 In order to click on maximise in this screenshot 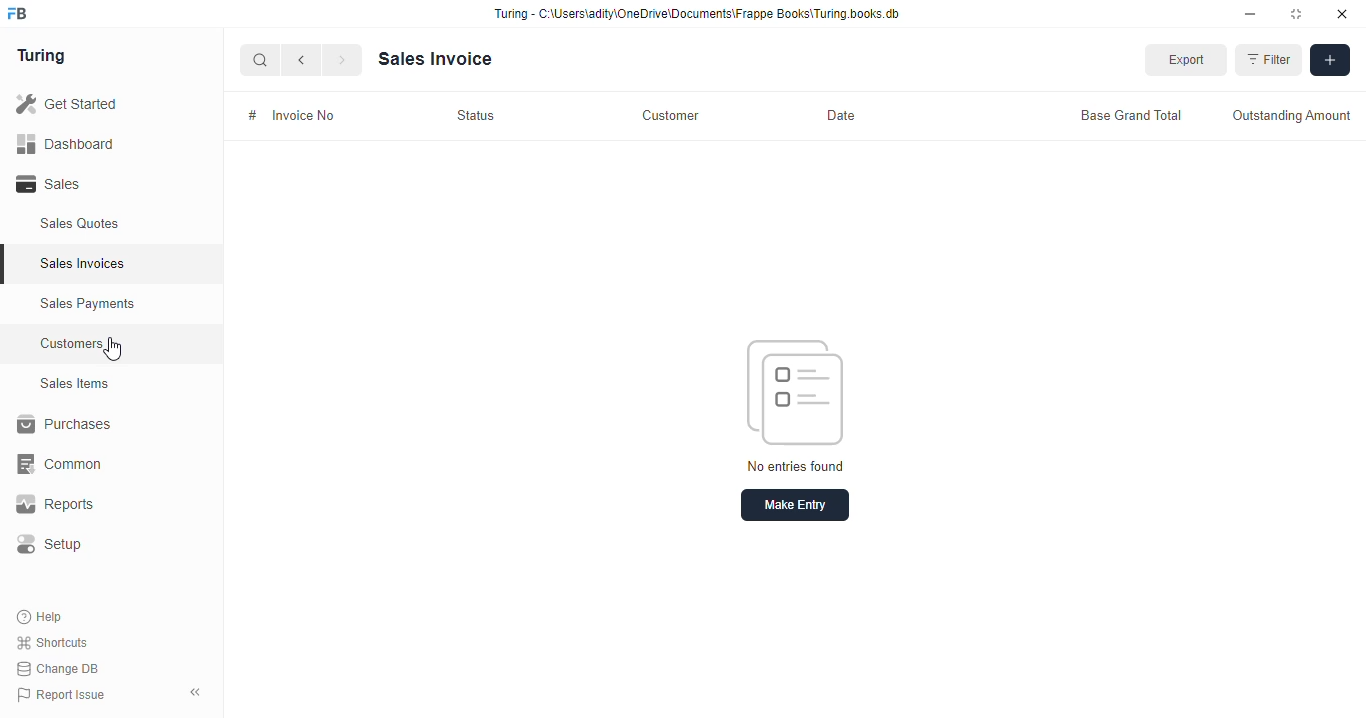, I will do `click(1300, 14)`.